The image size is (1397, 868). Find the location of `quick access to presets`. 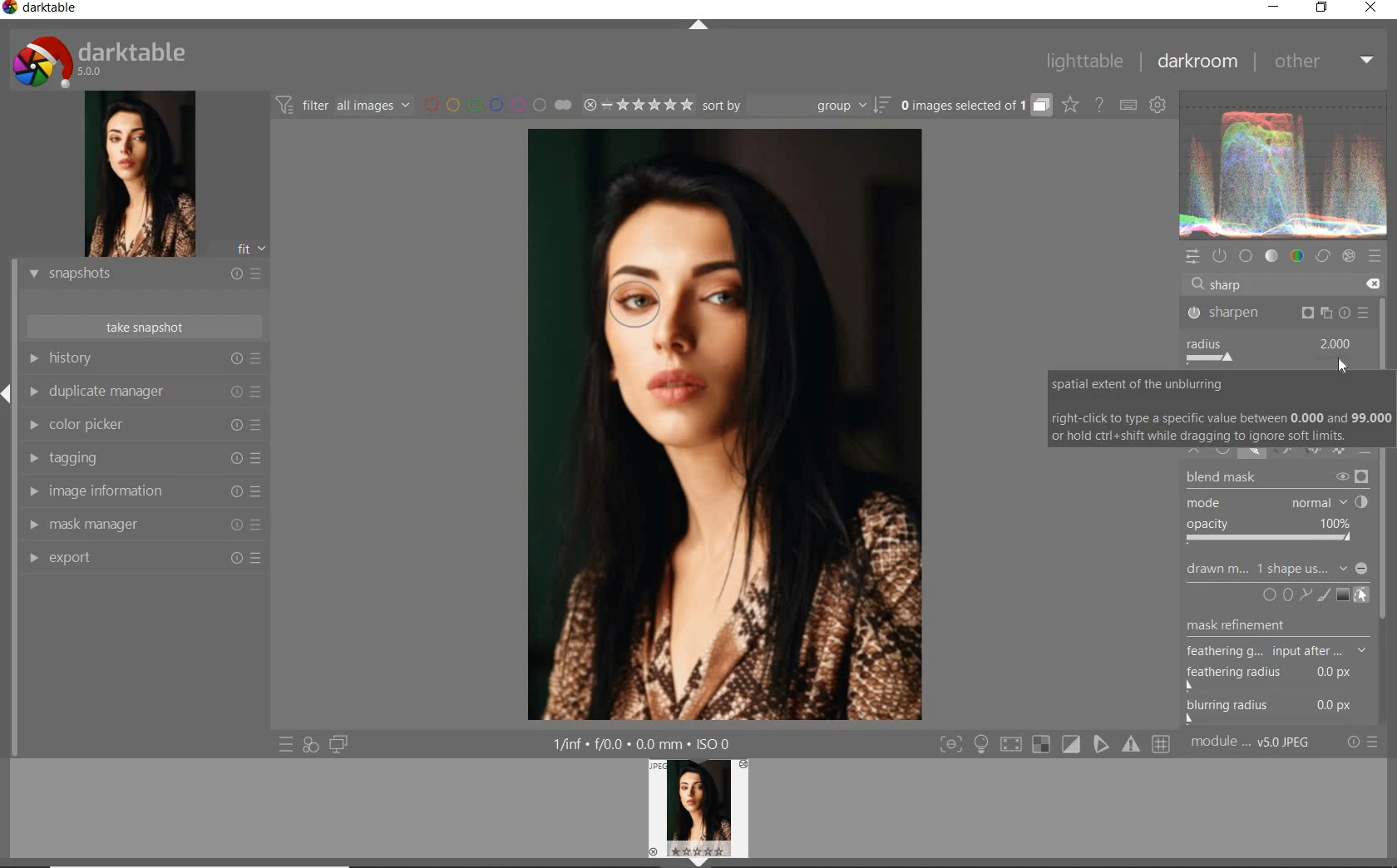

quick access to presets is located at coordinates (287, 744).